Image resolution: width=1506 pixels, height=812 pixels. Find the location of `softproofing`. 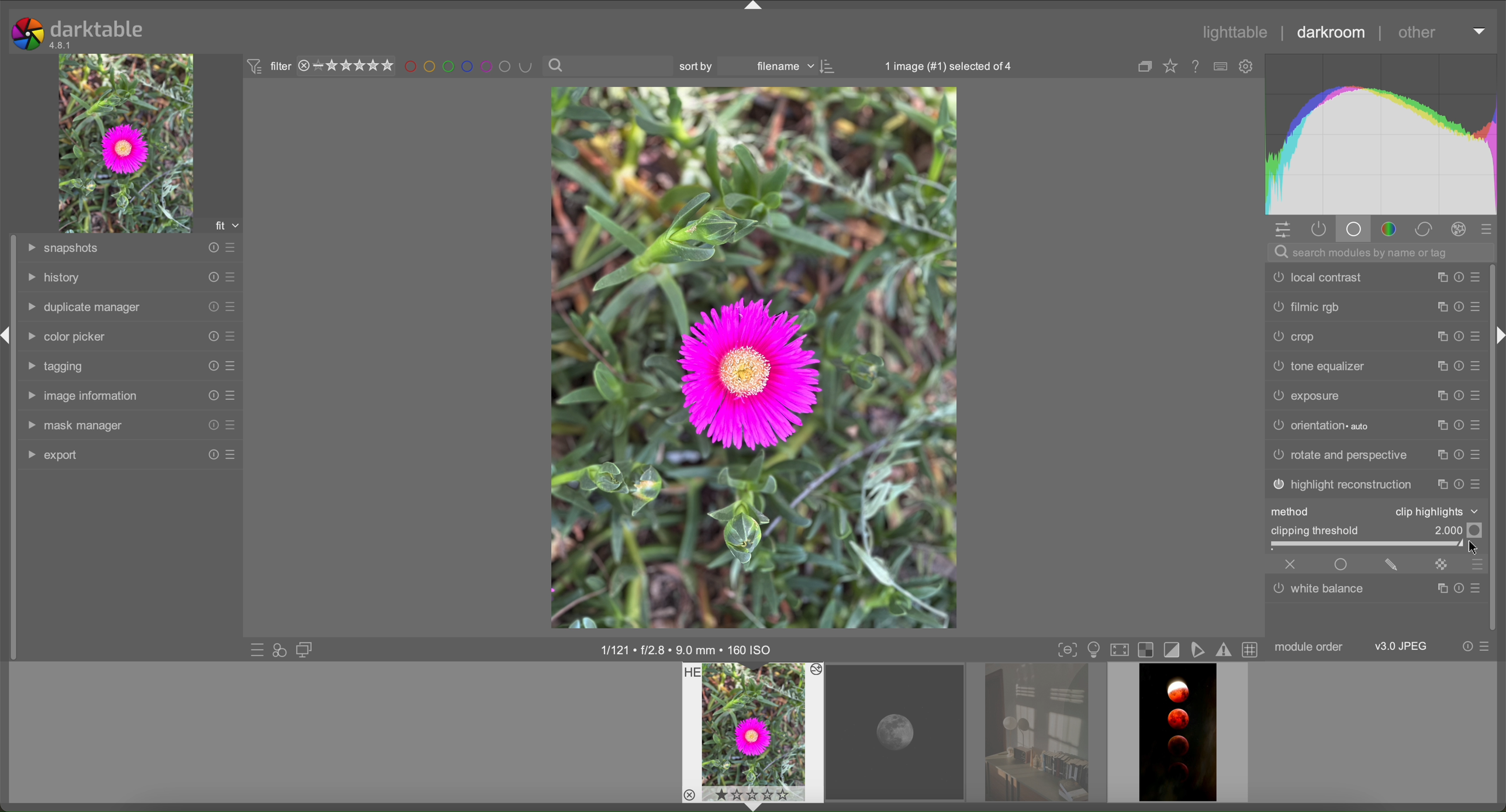

softproofing is located at coordinates (1202, 649).